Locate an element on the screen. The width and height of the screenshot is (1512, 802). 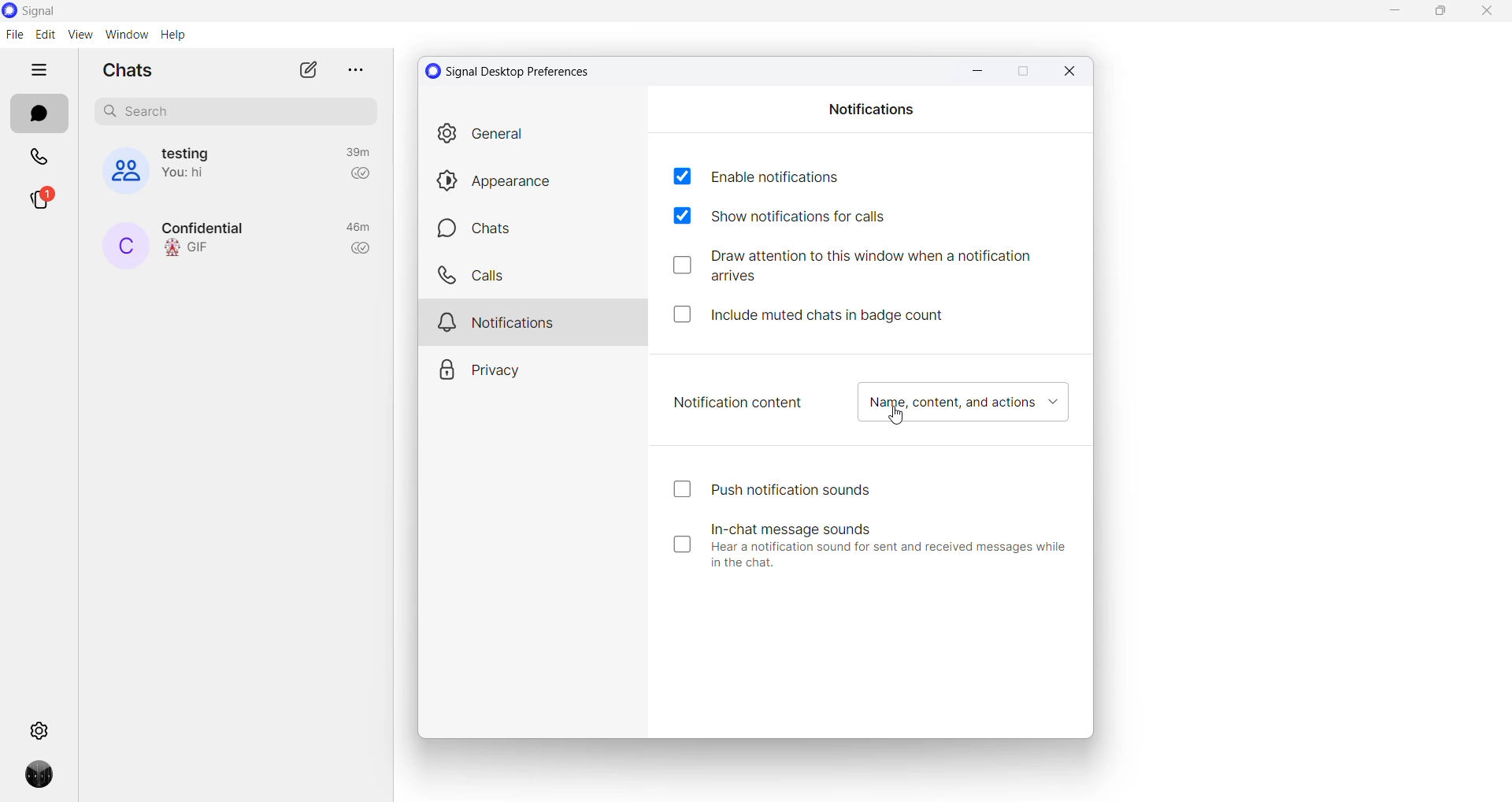
minimize is located at coordinates (1388, 12).